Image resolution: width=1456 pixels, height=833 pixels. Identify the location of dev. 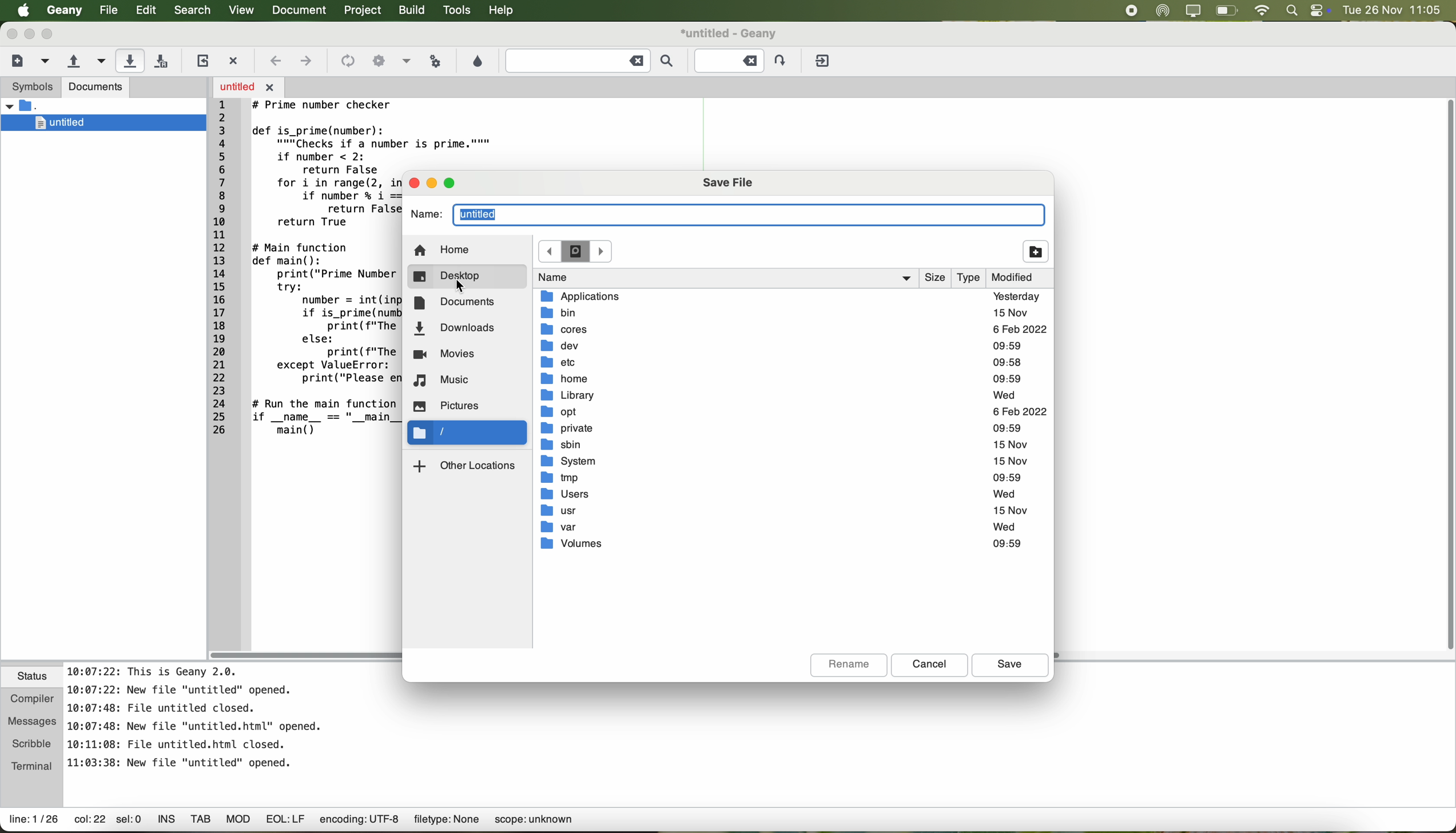
(783, 347).